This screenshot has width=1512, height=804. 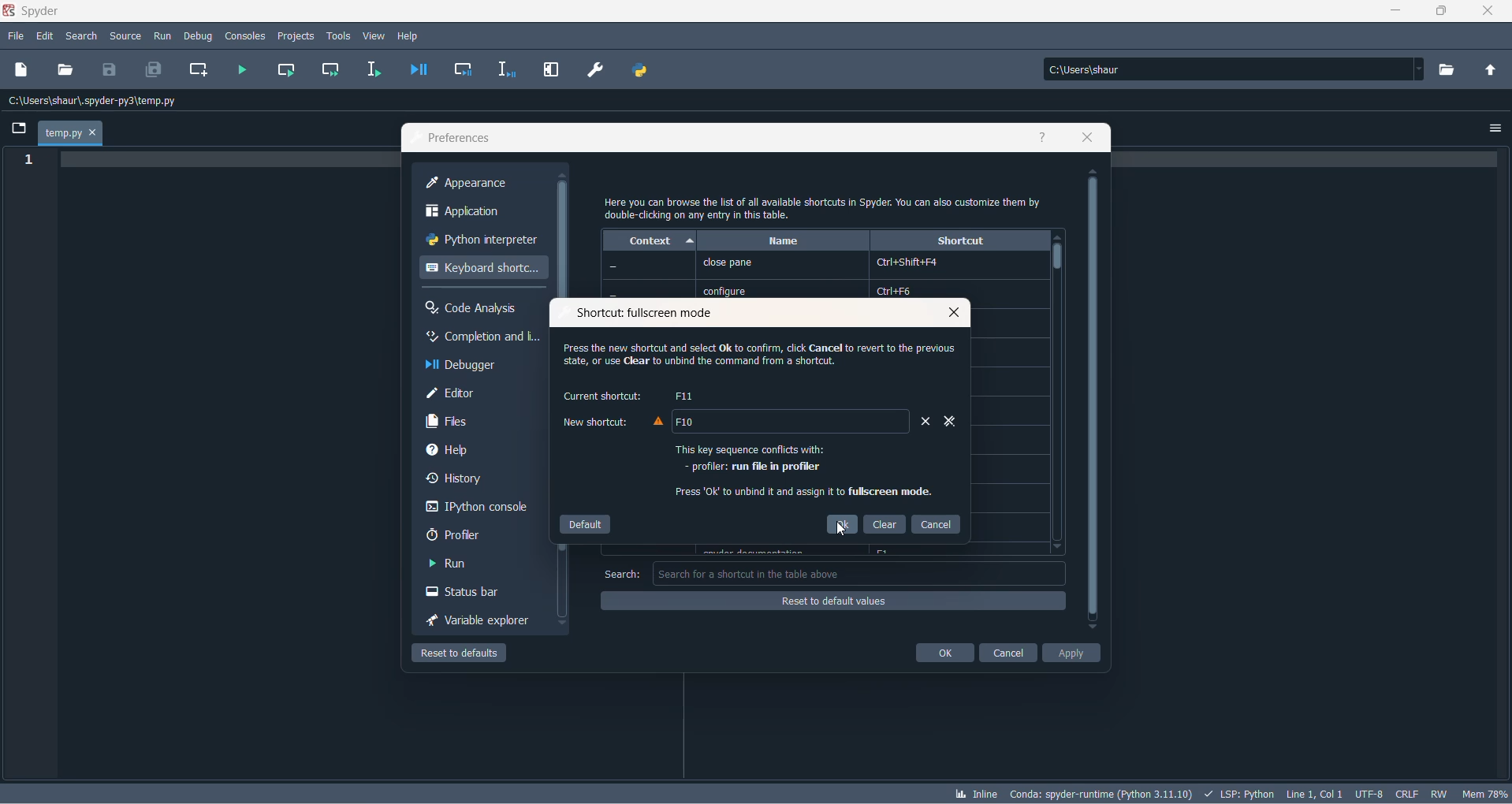 I want to click on current file tab, so click(x=70, y=134).